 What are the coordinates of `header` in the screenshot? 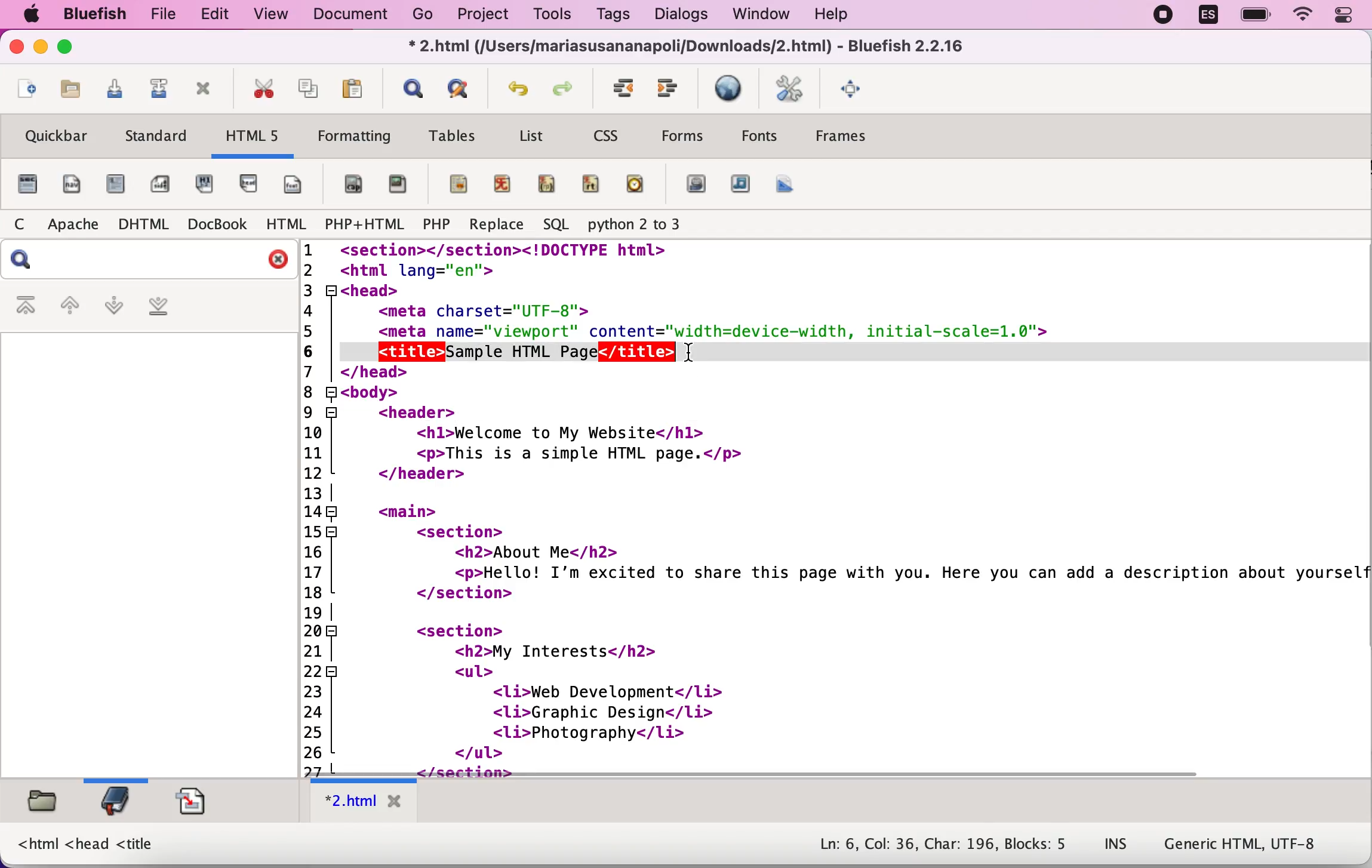 It's located at (253, 184).